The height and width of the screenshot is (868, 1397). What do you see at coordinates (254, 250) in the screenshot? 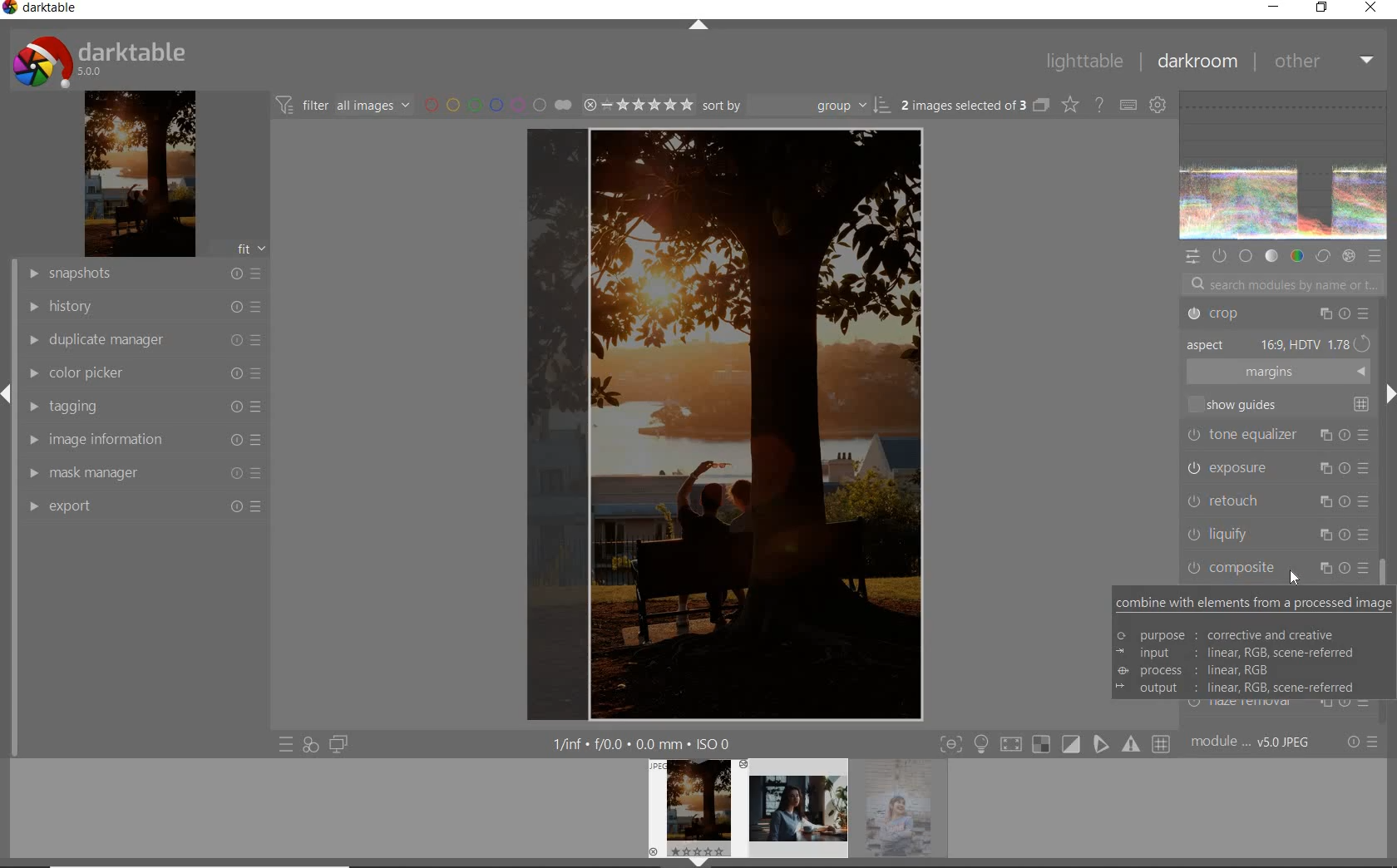
I see `fit ` at bounding box center [254, 250].